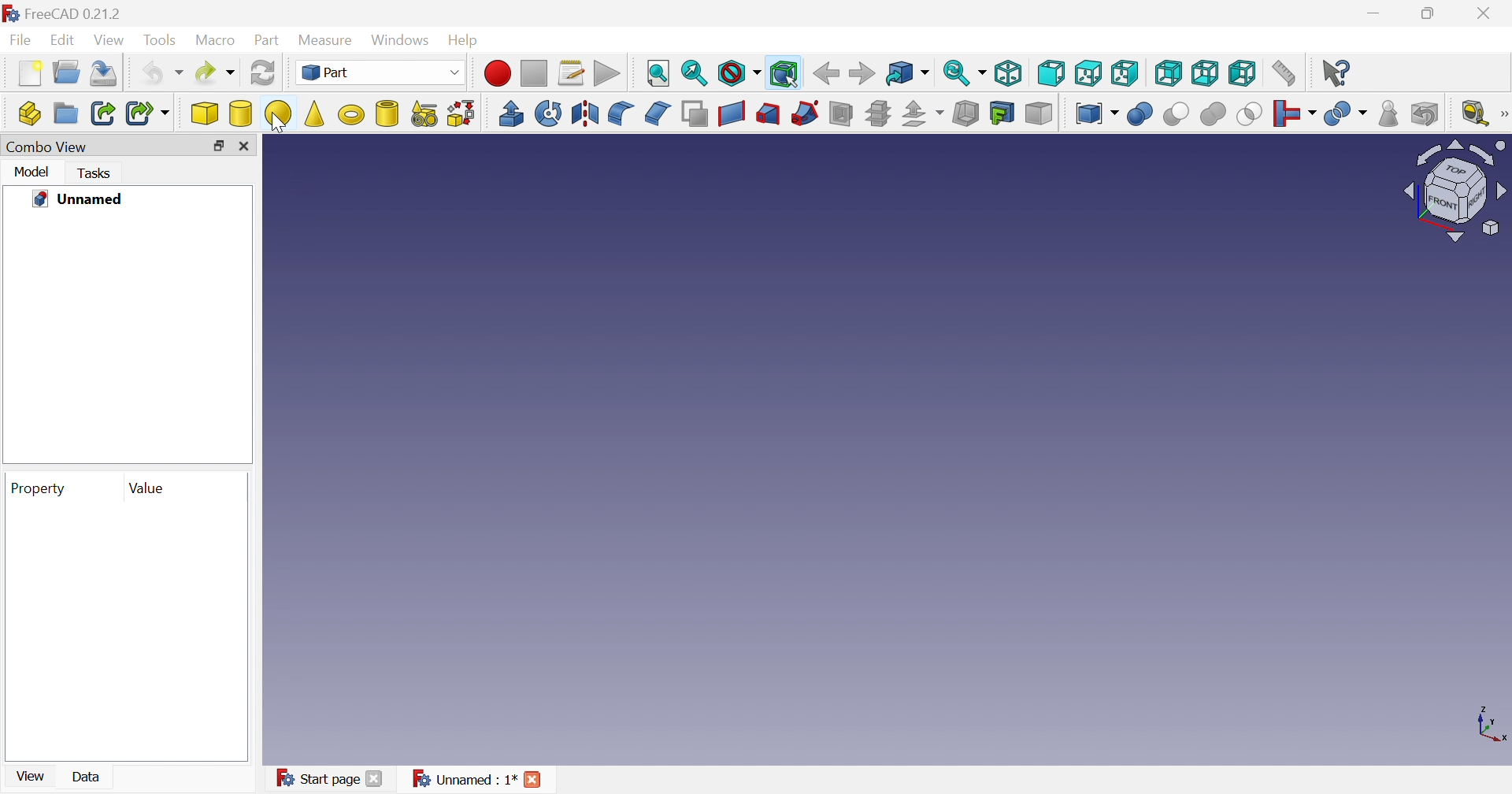 The height and width of the screenshot is (794, 1512). What do you see at coordinates (1286, 74) in the screenshot?
I see `Measure distance` at bounding box center [1286, 74].